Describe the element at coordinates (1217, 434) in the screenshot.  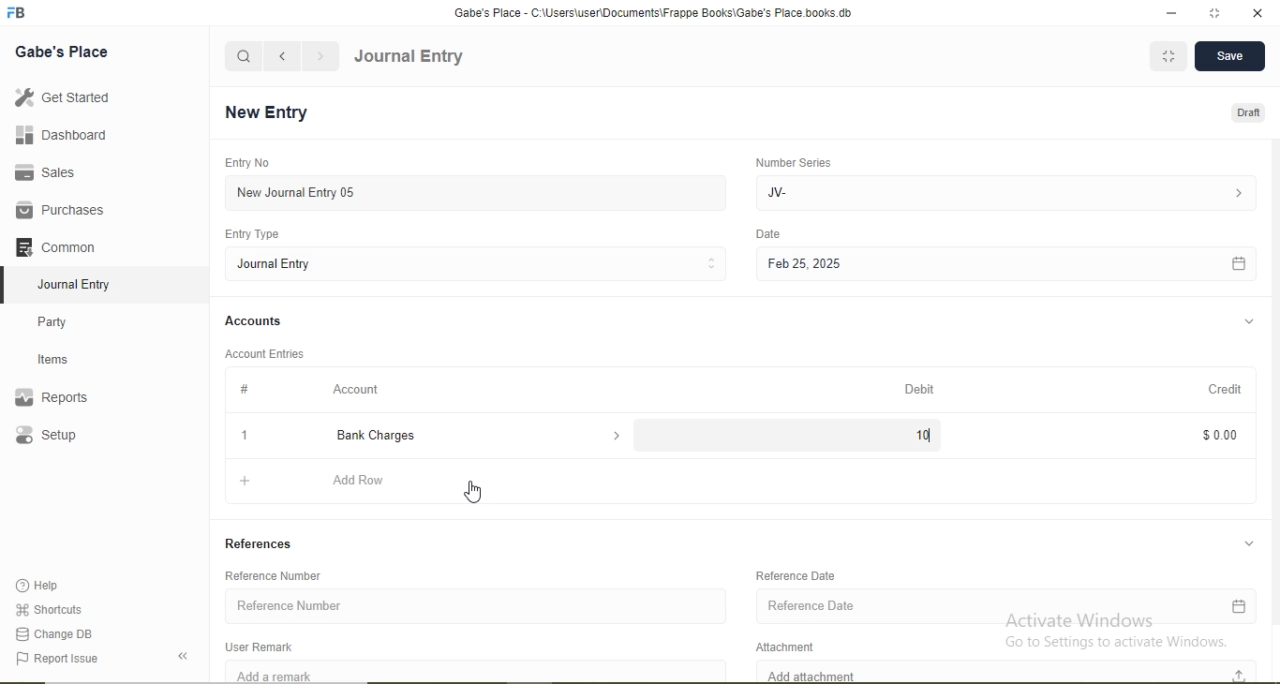
I see `$0.00` at that location.